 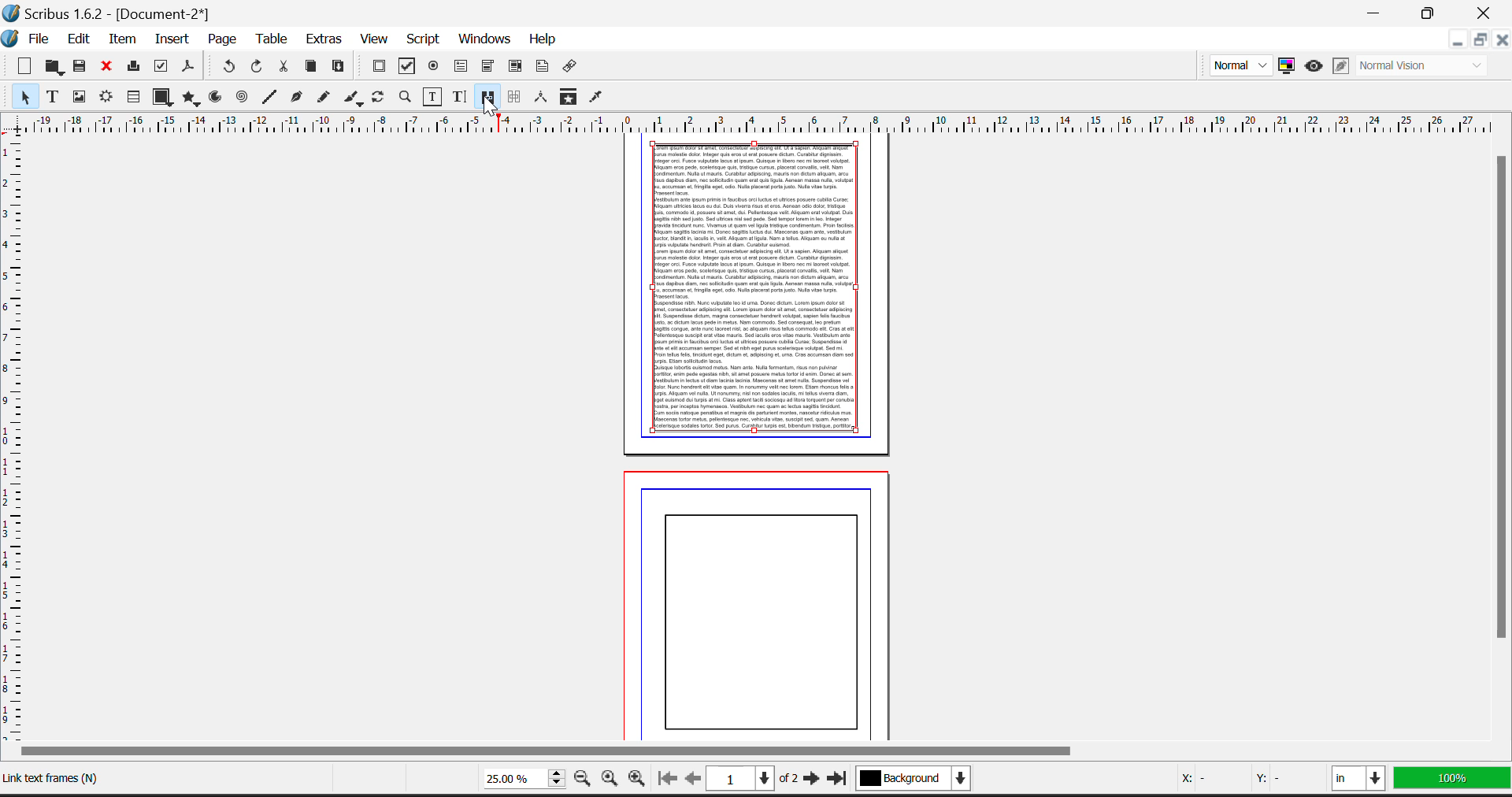 I want to click on Preview Mode, so click(x=1313, y=66).